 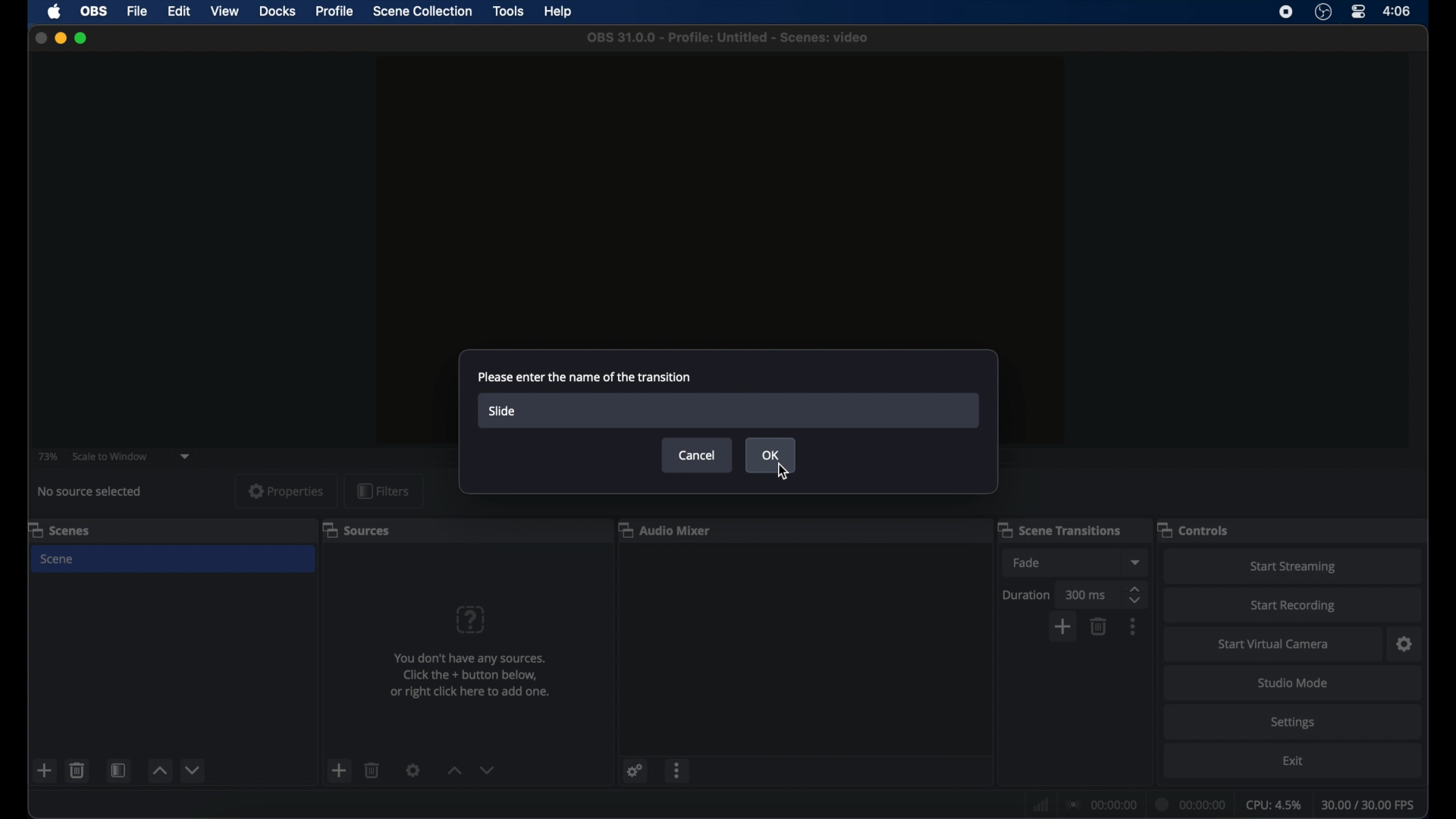 I want to click on 300 ms, so click(x=1086, y=596).